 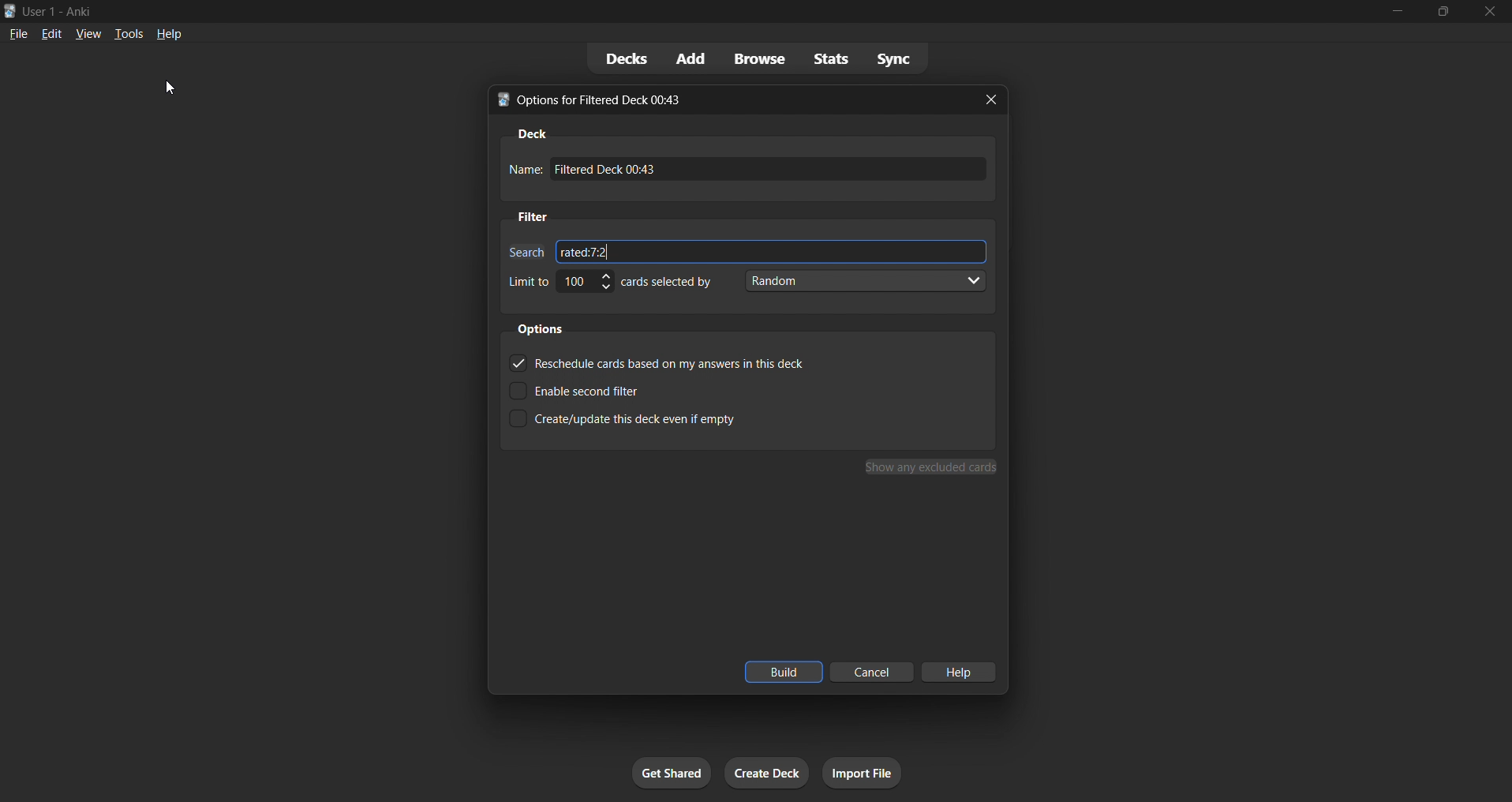 What do you see at coordinates (586, 285) in the screenshot?
I see `100` at bounding box center [586, 285].